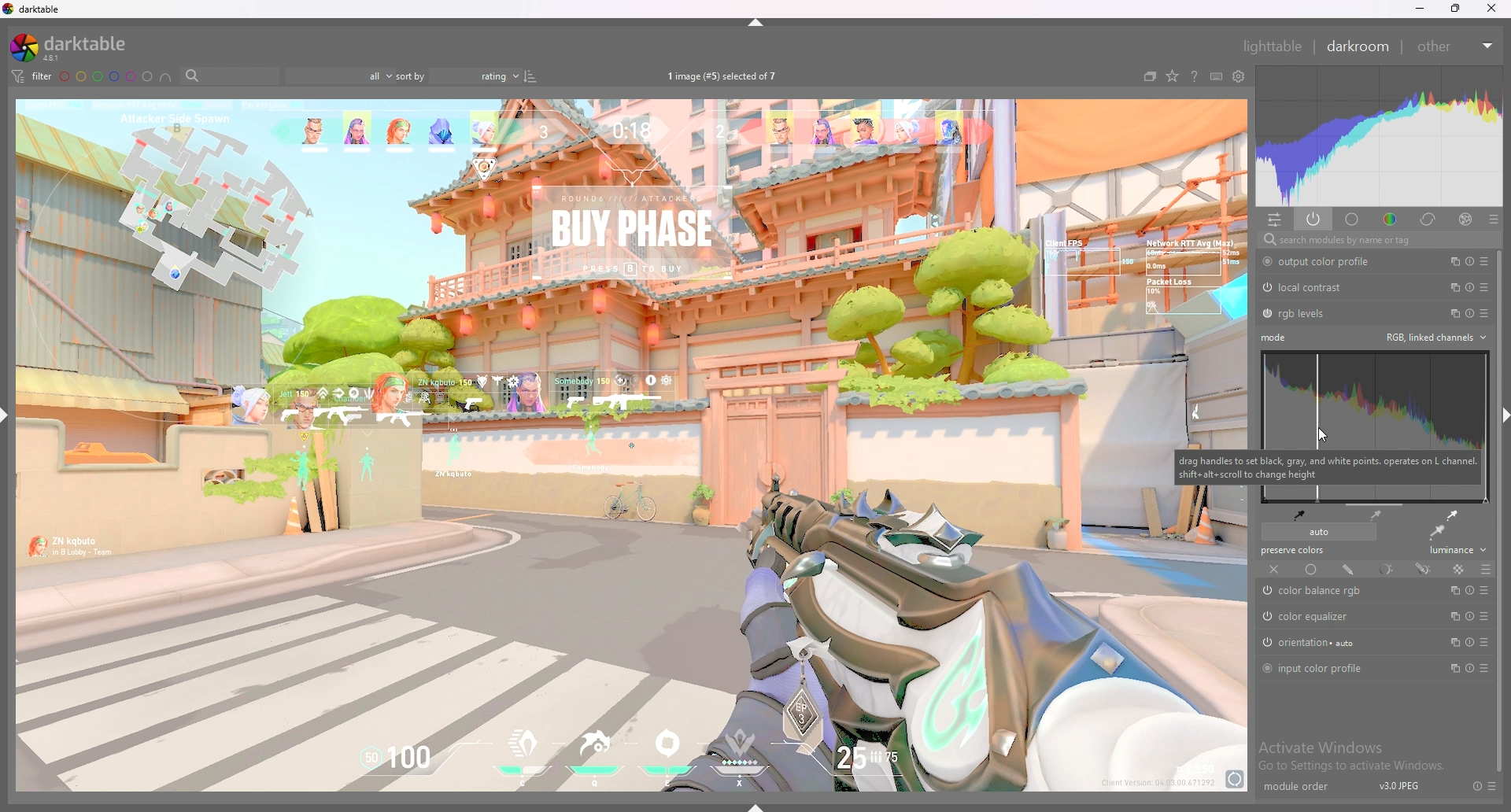 Image resolution: width=1511 pixels, height=812 pixels. I want to click on play, so click(1470, 590).